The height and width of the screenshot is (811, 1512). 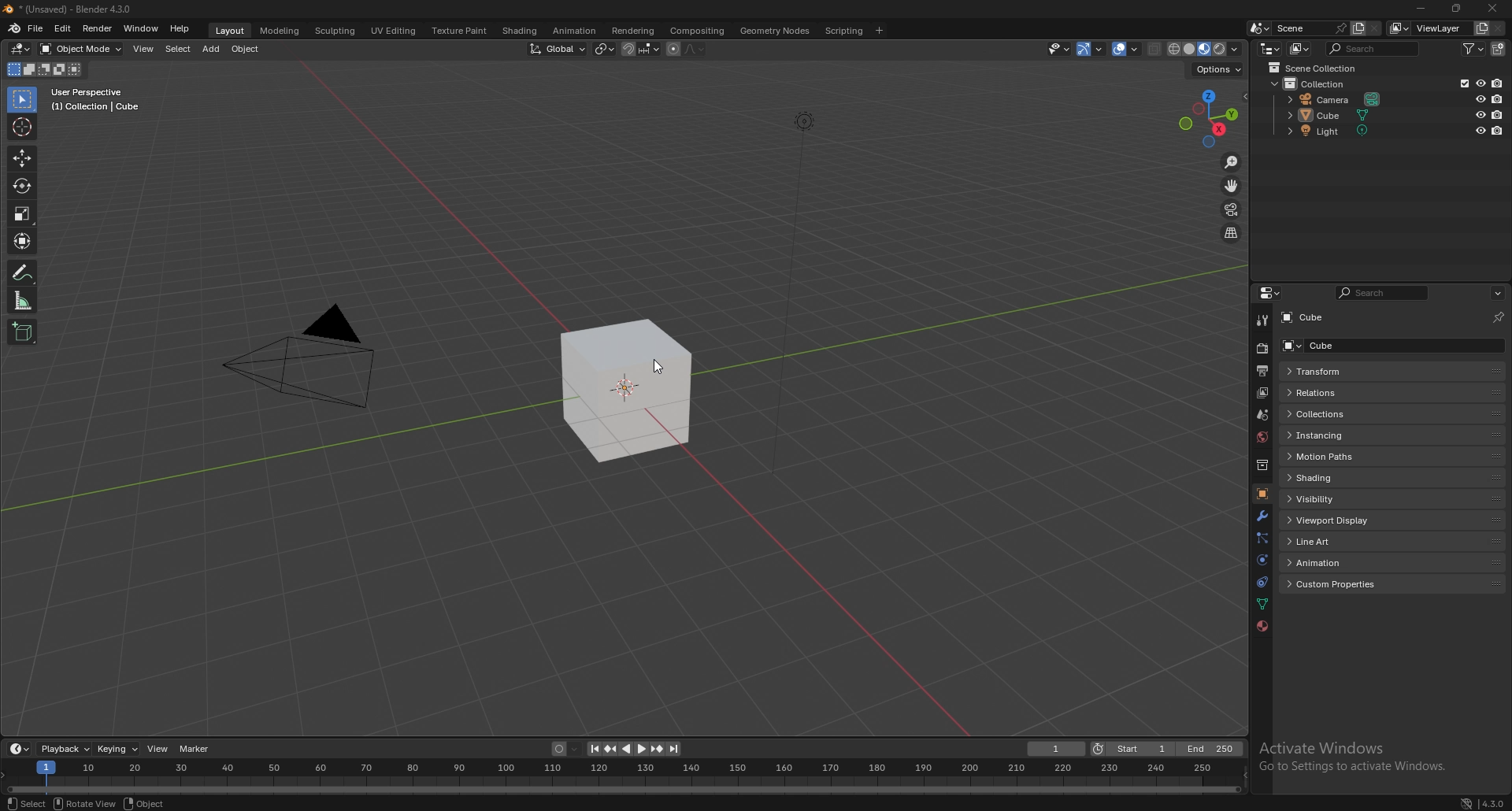 I want to click on auto keying, so click(x=566, y=749).